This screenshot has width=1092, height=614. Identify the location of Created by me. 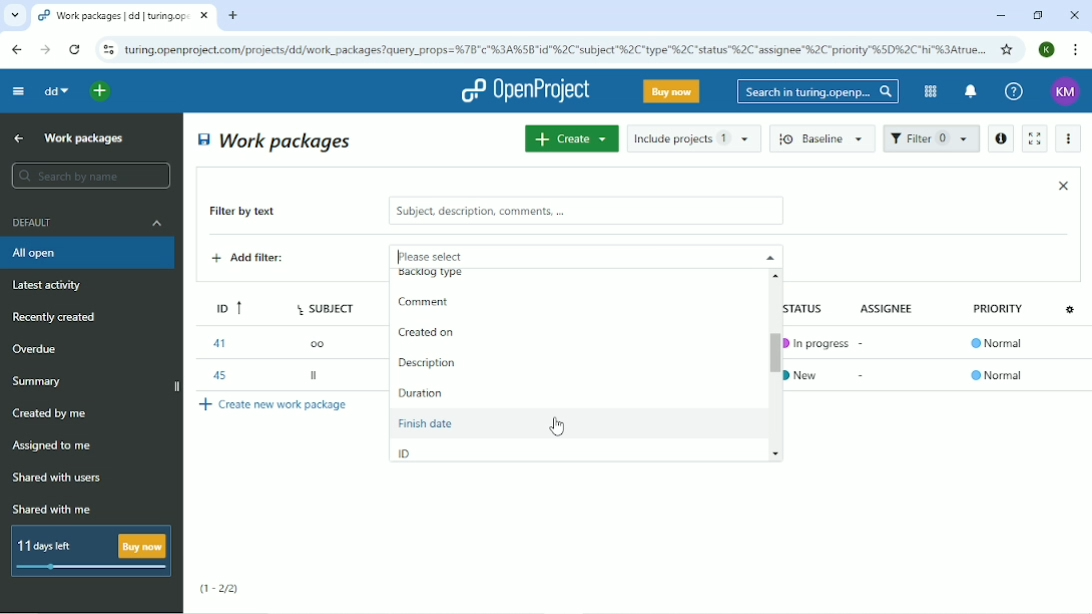
(53, 414).